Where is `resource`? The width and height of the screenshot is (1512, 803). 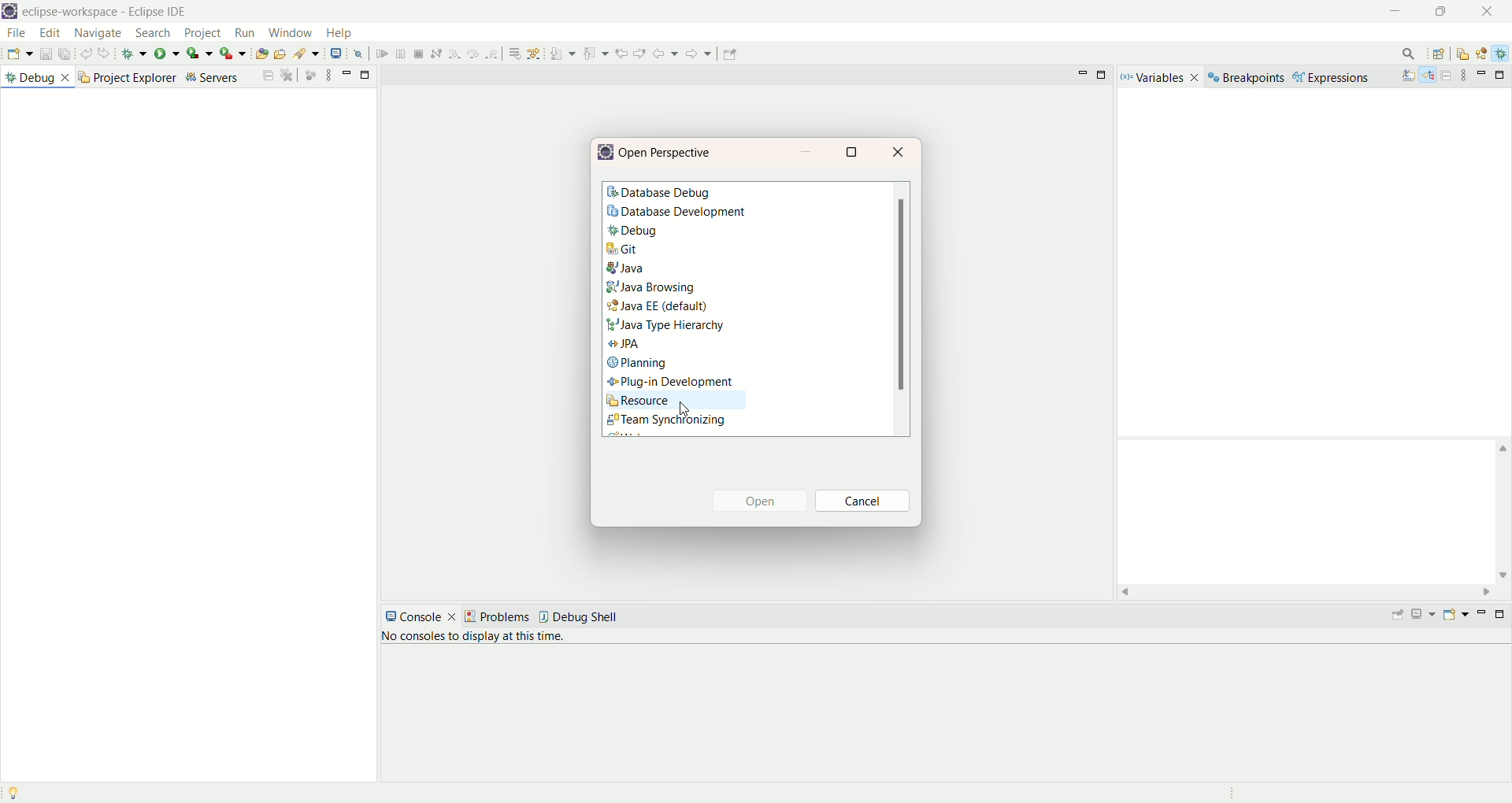 resource is located at coordinates (678, 401).